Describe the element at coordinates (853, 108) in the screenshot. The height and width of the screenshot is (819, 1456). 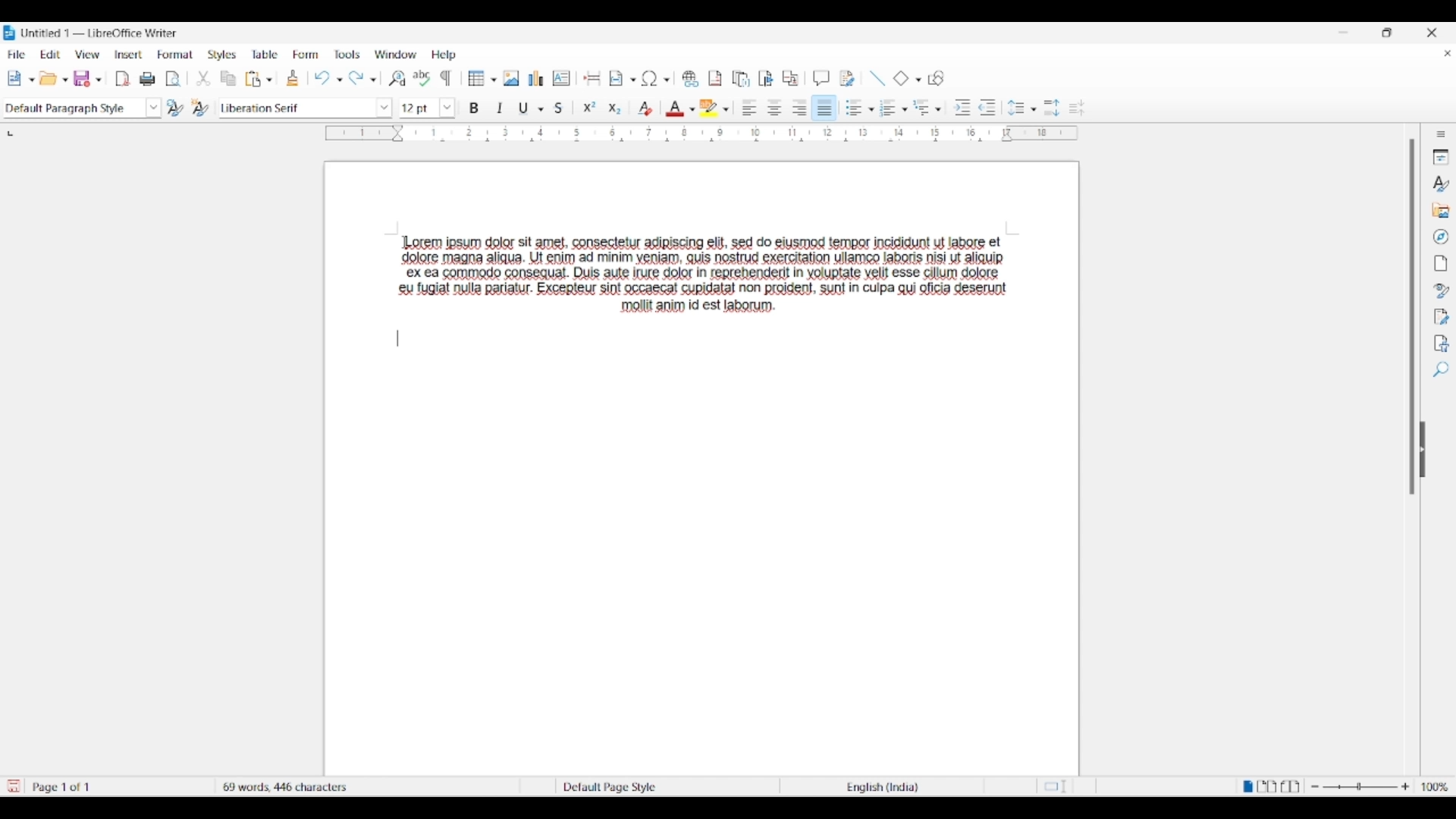
I see `Toggle unordered list` at that location.